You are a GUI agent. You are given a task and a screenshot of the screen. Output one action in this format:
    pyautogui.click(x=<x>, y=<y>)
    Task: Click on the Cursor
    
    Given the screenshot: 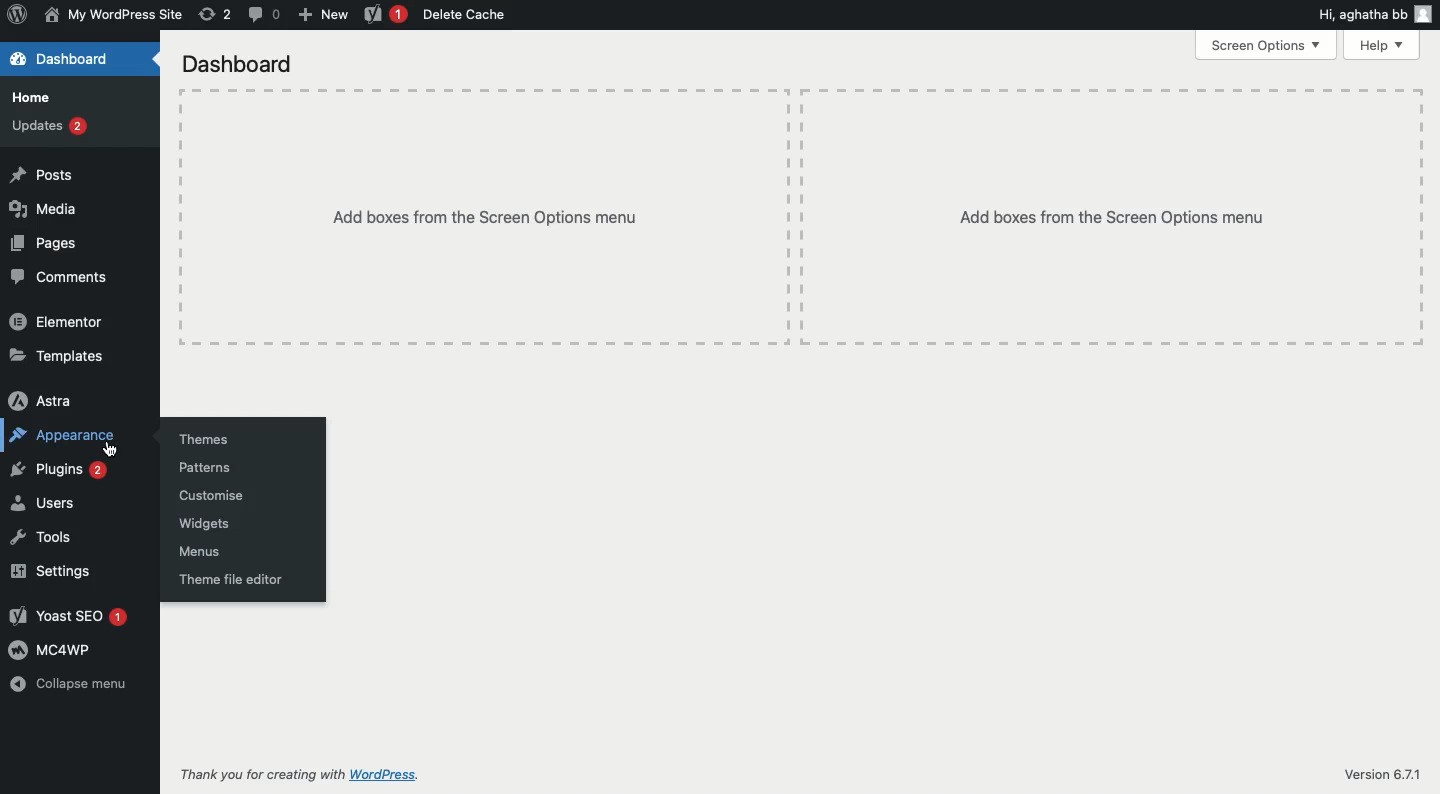 What is the action you would take?
    pyautogui.click(x=118, y=450)
    